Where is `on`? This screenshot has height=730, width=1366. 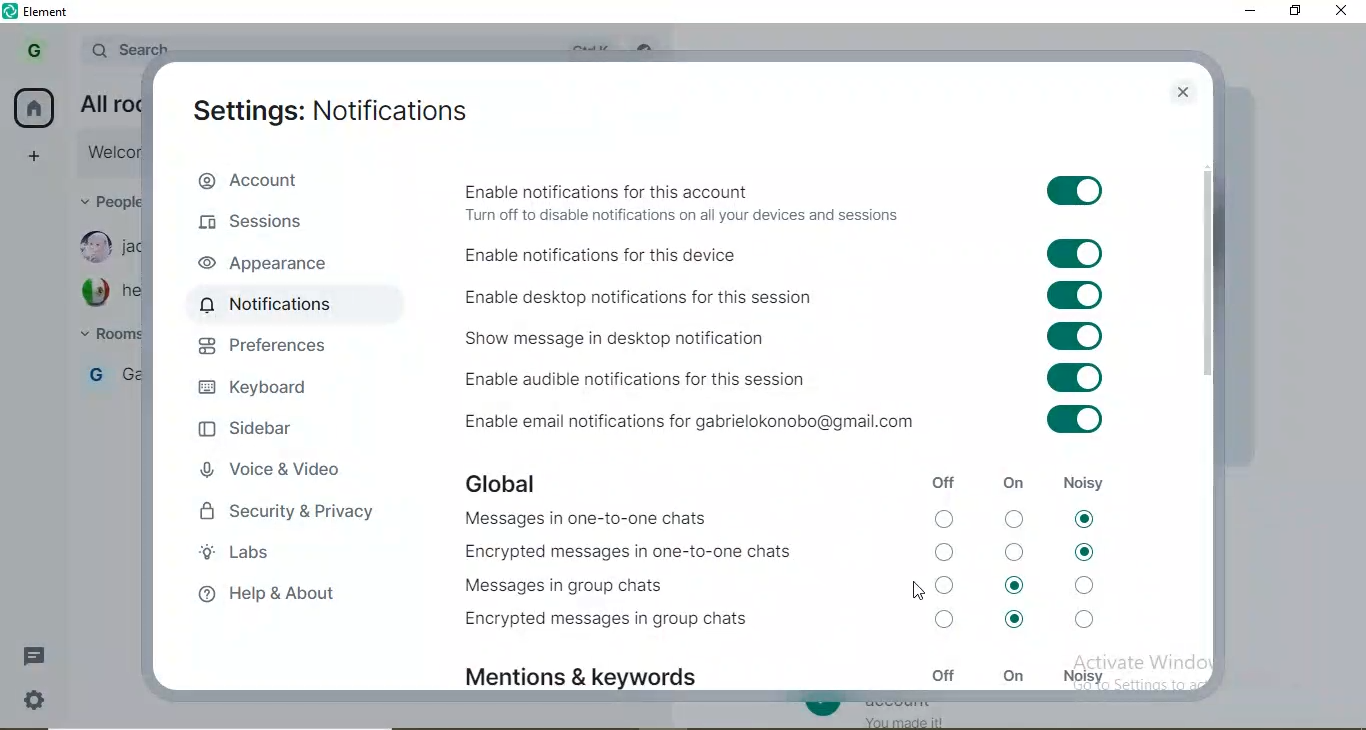
on is located at coordinates (1013, 676).